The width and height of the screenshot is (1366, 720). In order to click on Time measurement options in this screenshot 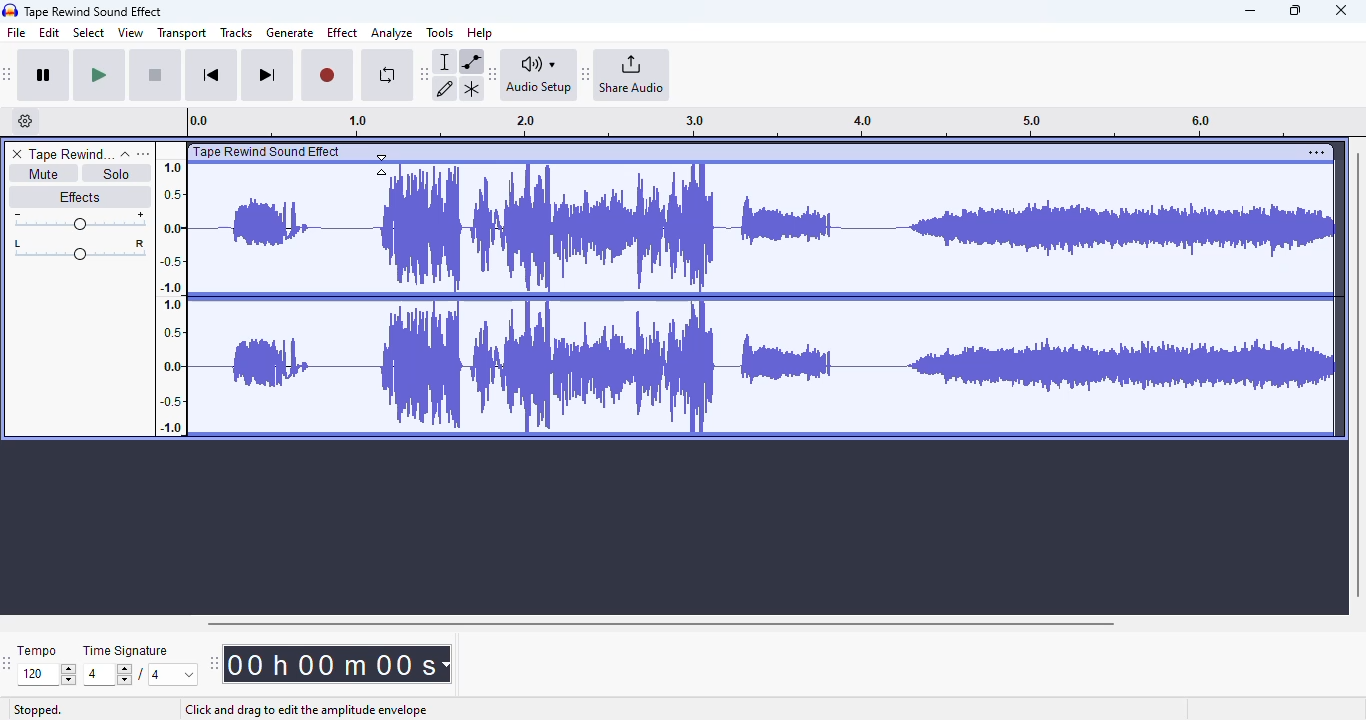, I will do `click(445, 664)`.